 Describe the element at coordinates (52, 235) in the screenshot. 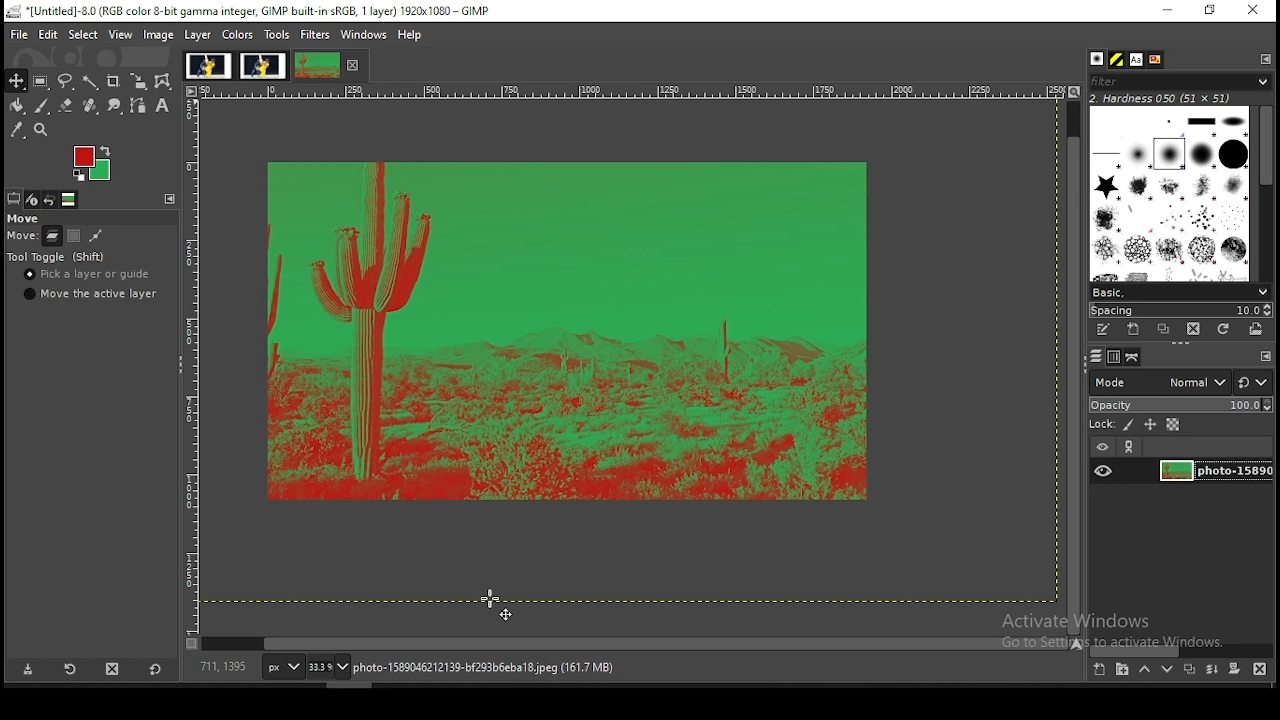

I see `move layers` at that location.